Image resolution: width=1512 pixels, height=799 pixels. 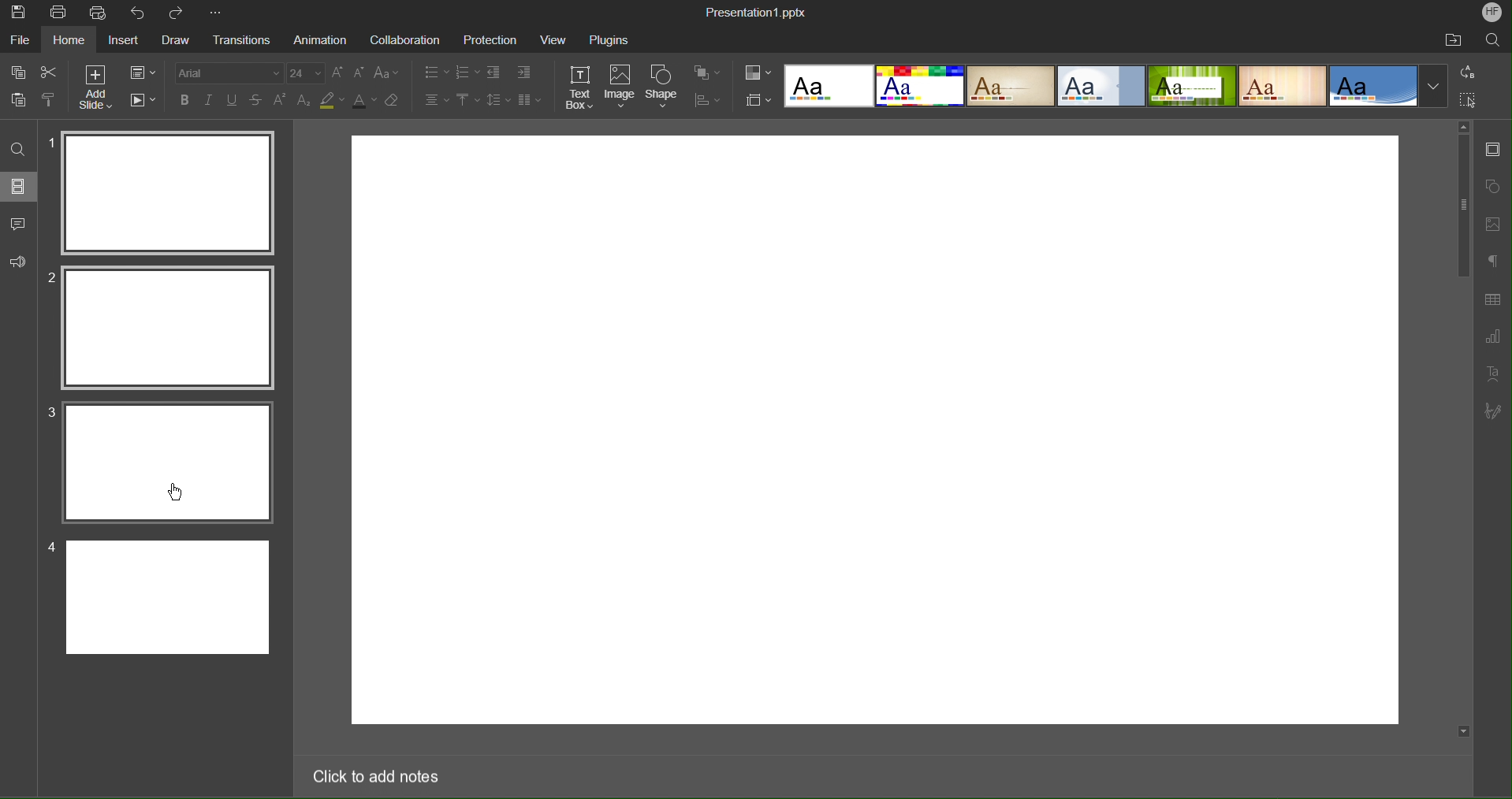 I want to click on Shape, so click(x=661, y=87).